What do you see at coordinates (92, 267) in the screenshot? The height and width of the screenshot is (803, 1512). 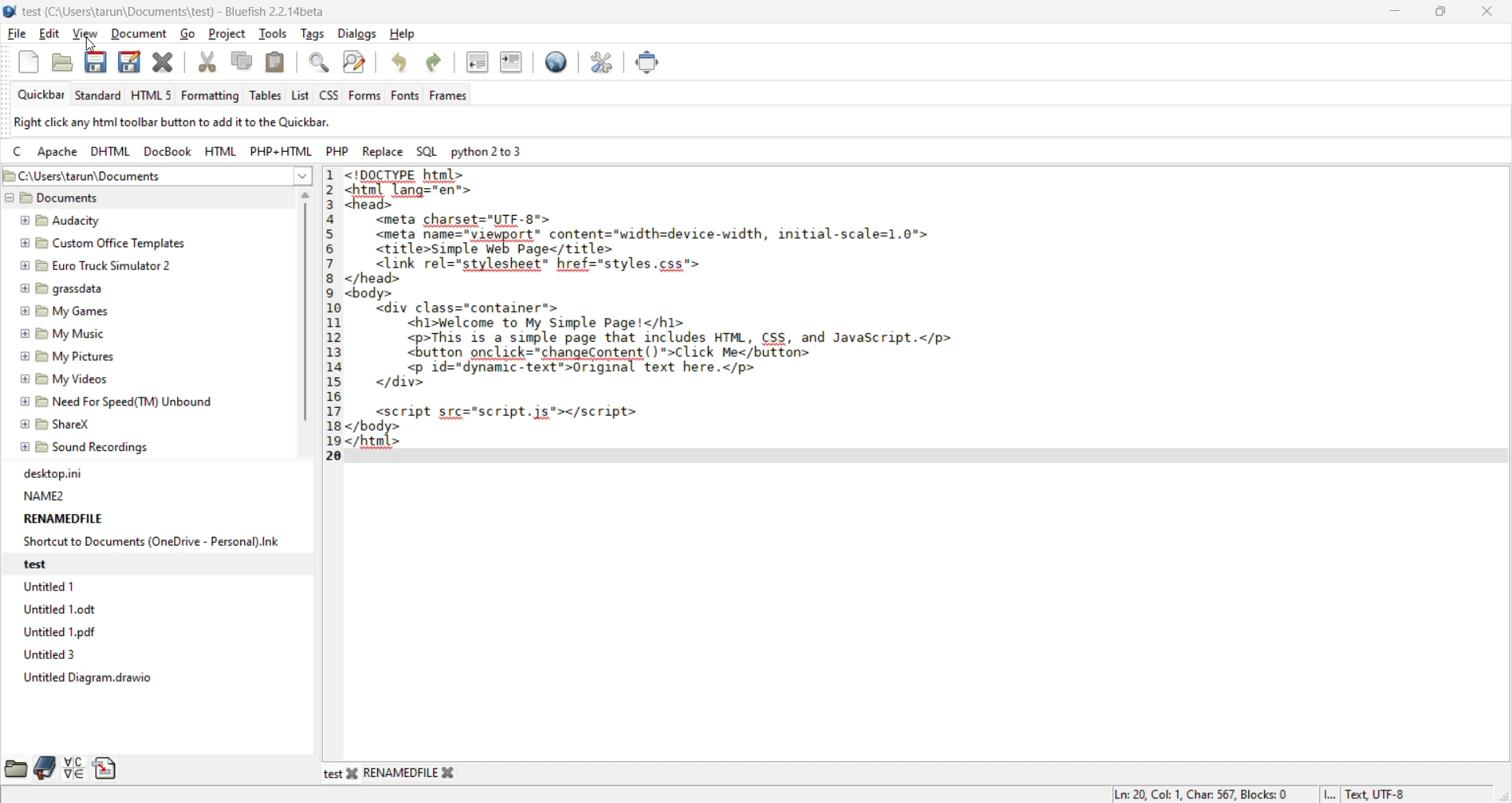 I see `[2 Euro Truck Simulator 2` at bounding box center [92, 267].